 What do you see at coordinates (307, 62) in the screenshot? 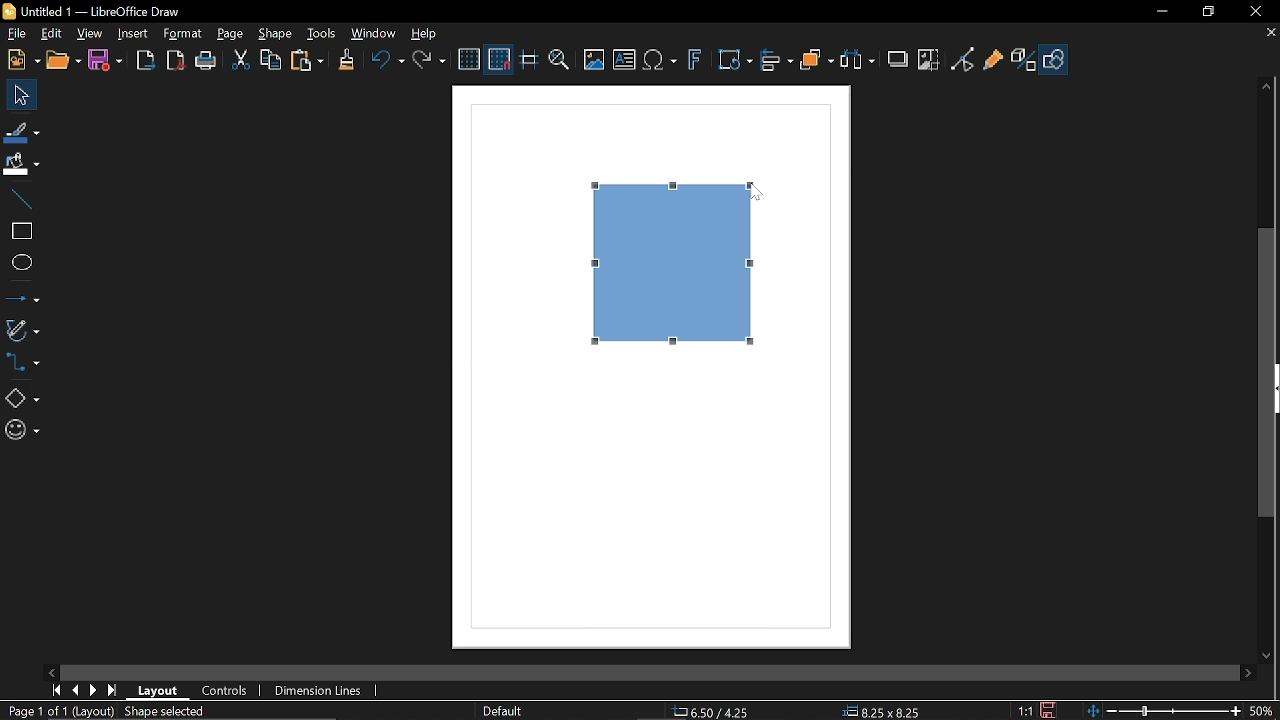
I see `Paste` at bounding box center [307, 62].